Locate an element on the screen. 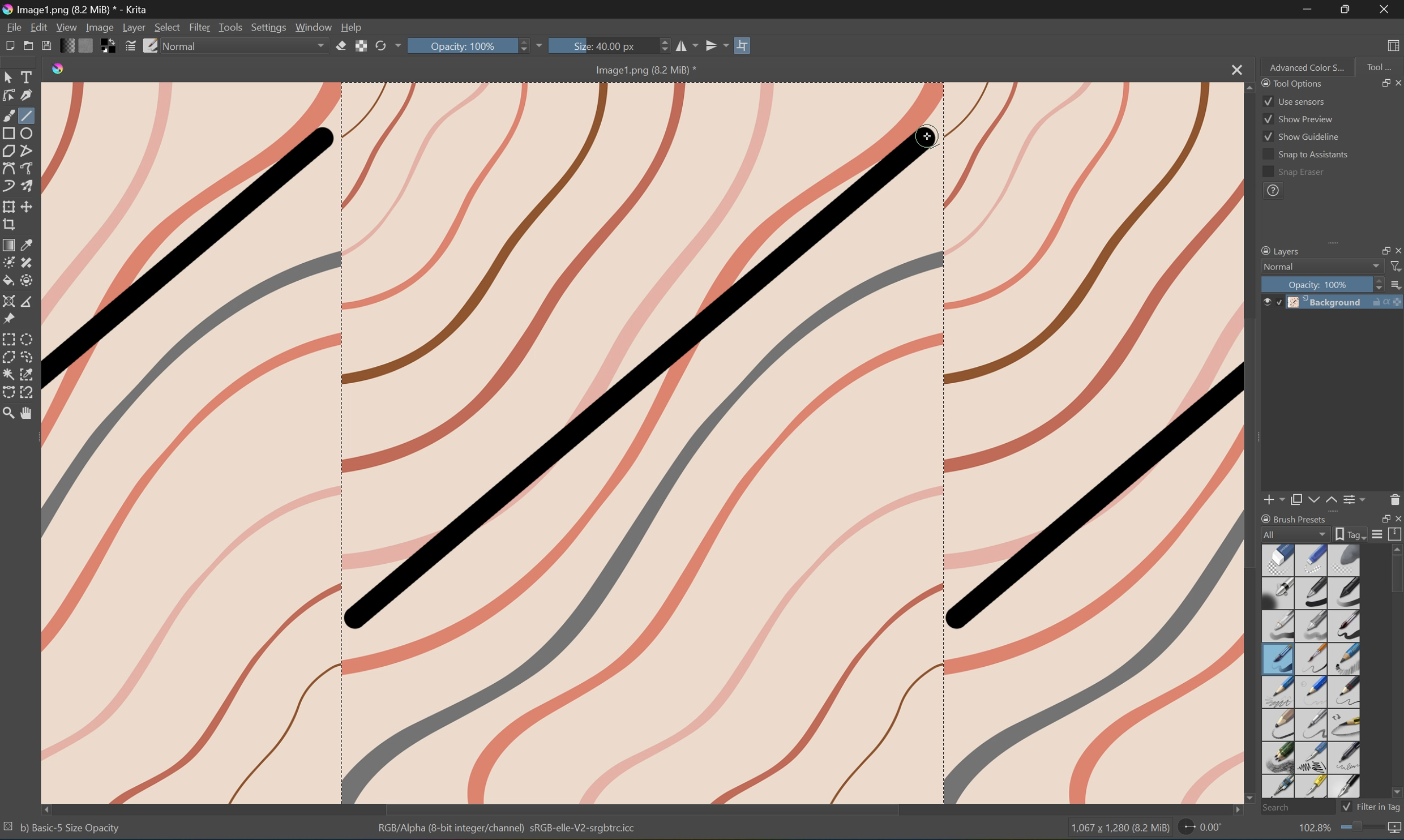  Expand is located at coordinates (1337, 246).